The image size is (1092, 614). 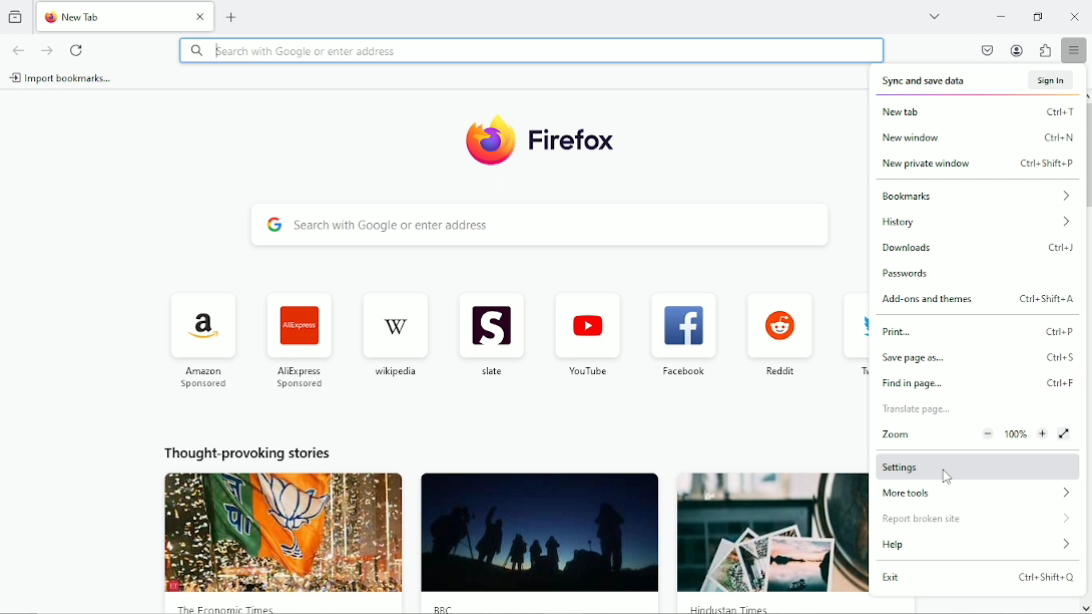 What do you see at coordinates (299, 339) in the screenshot?
I see `AliExpress` at bounding box center [299, 339].